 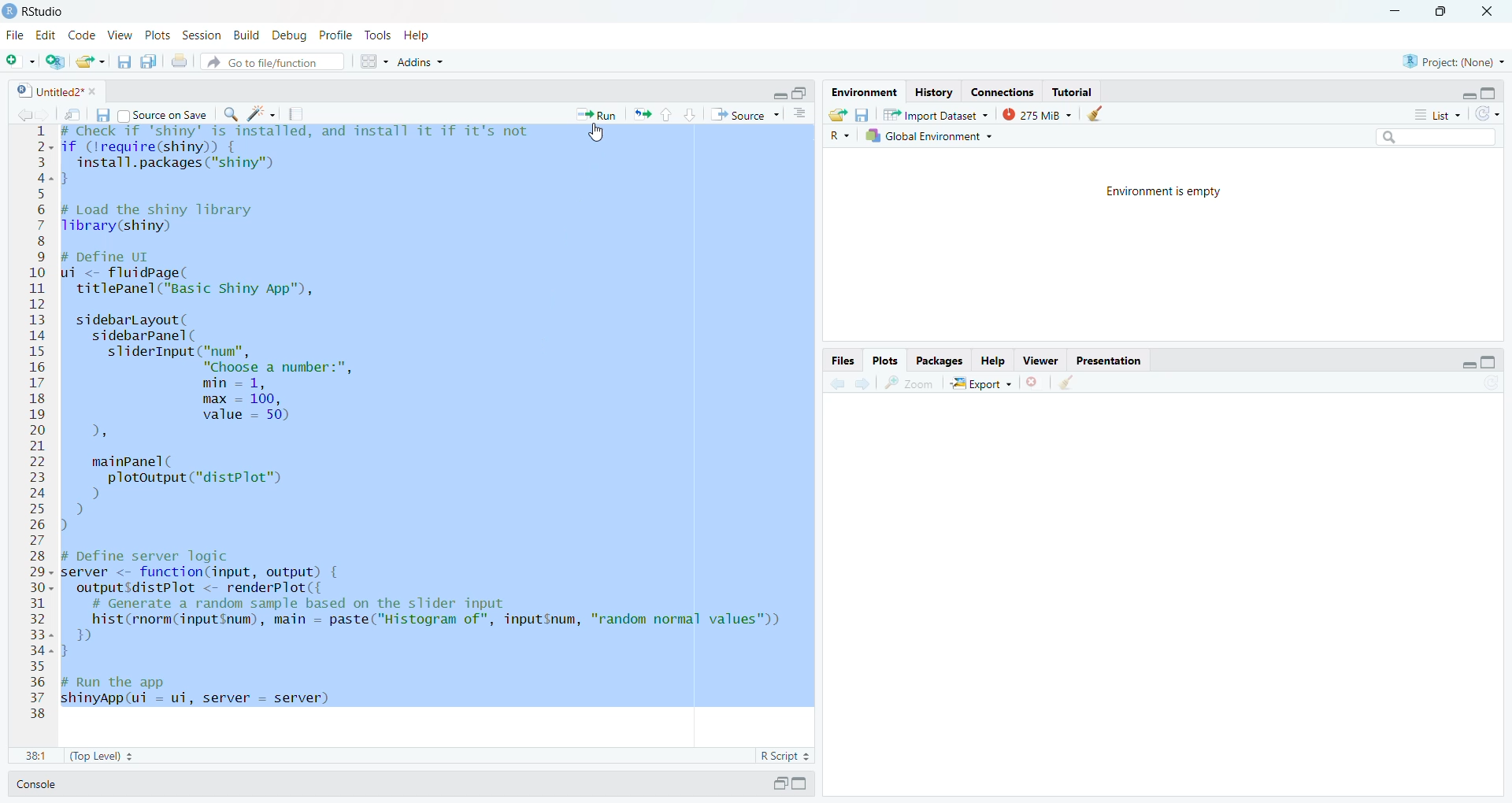 What do you see at coordinates (21, 61) in the screenshot?
I see `new file` at bounding box center [21, 61].